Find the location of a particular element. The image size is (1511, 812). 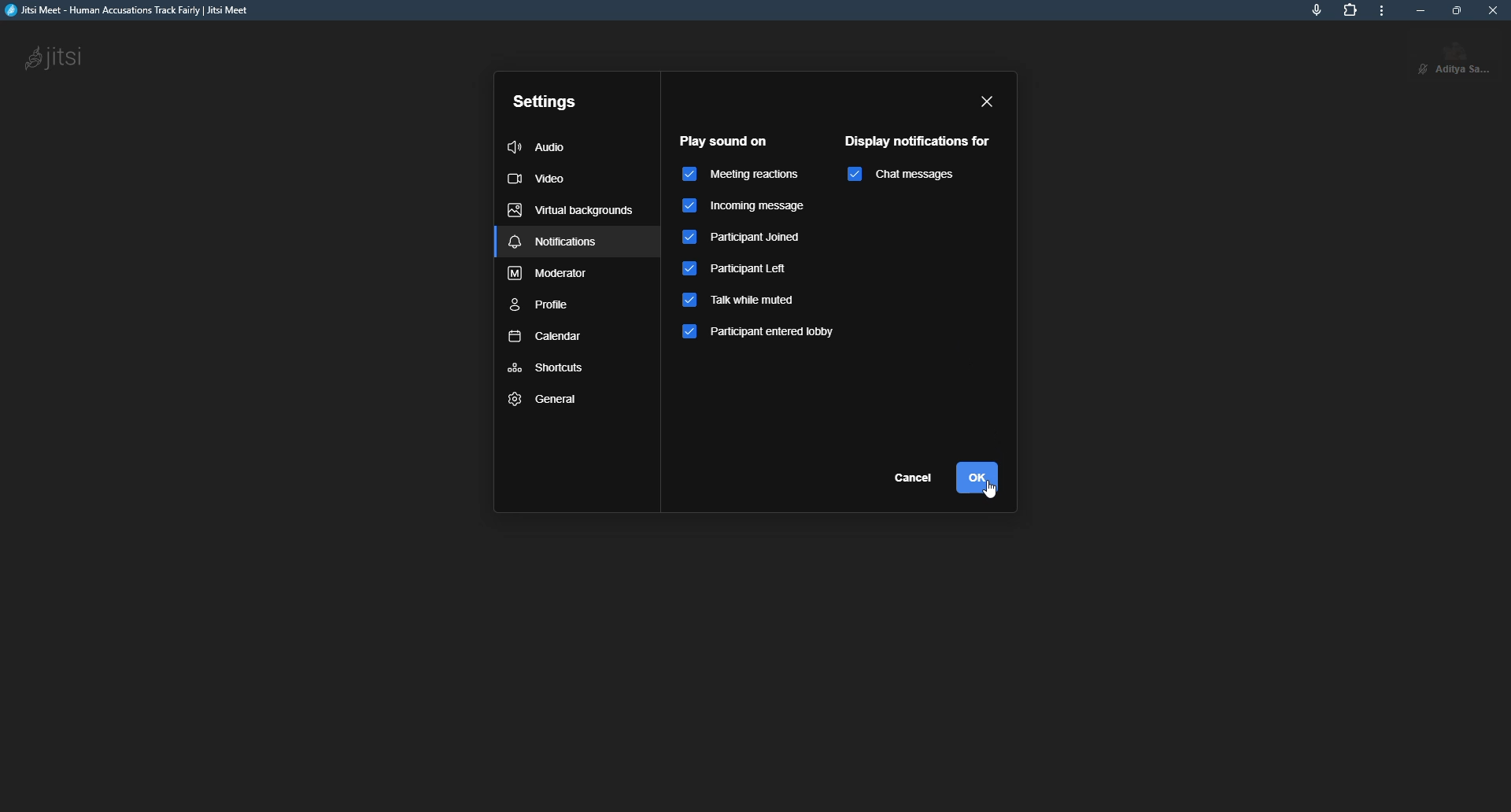

notifications is located at coordinates (555, 243).